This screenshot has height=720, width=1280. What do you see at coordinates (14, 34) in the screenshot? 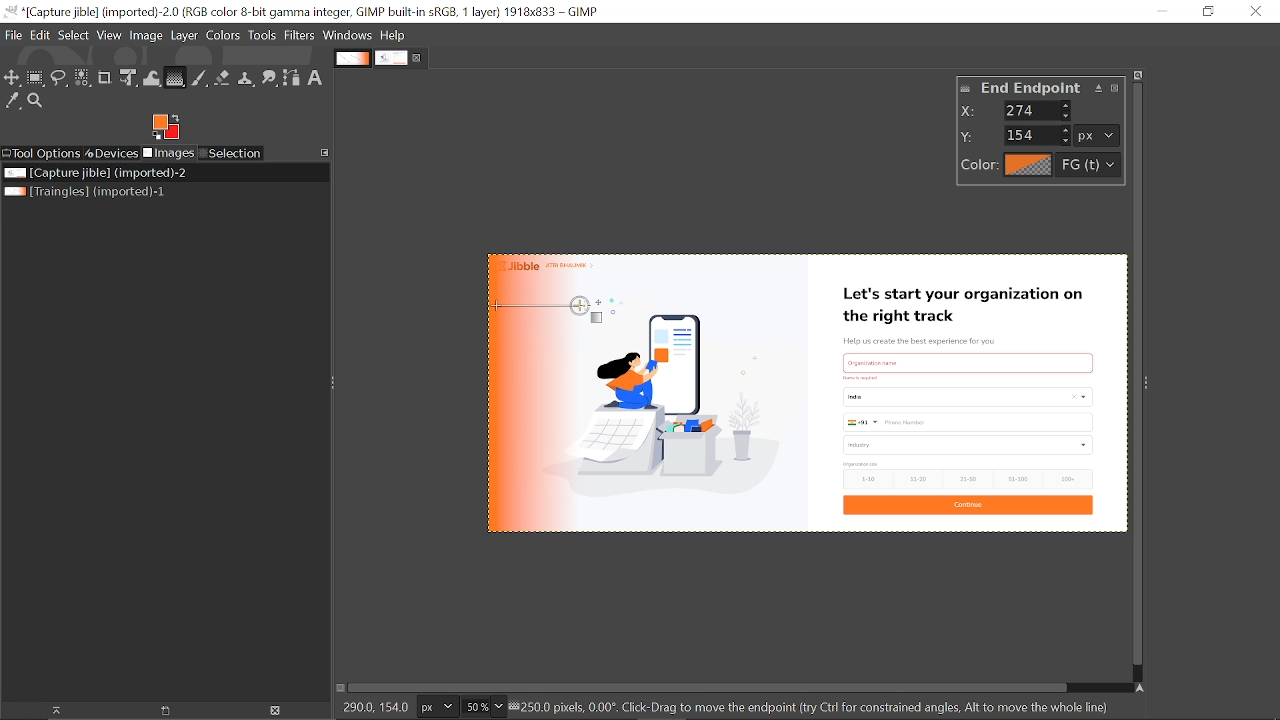
I see `File` at bounding box center [14, 34].